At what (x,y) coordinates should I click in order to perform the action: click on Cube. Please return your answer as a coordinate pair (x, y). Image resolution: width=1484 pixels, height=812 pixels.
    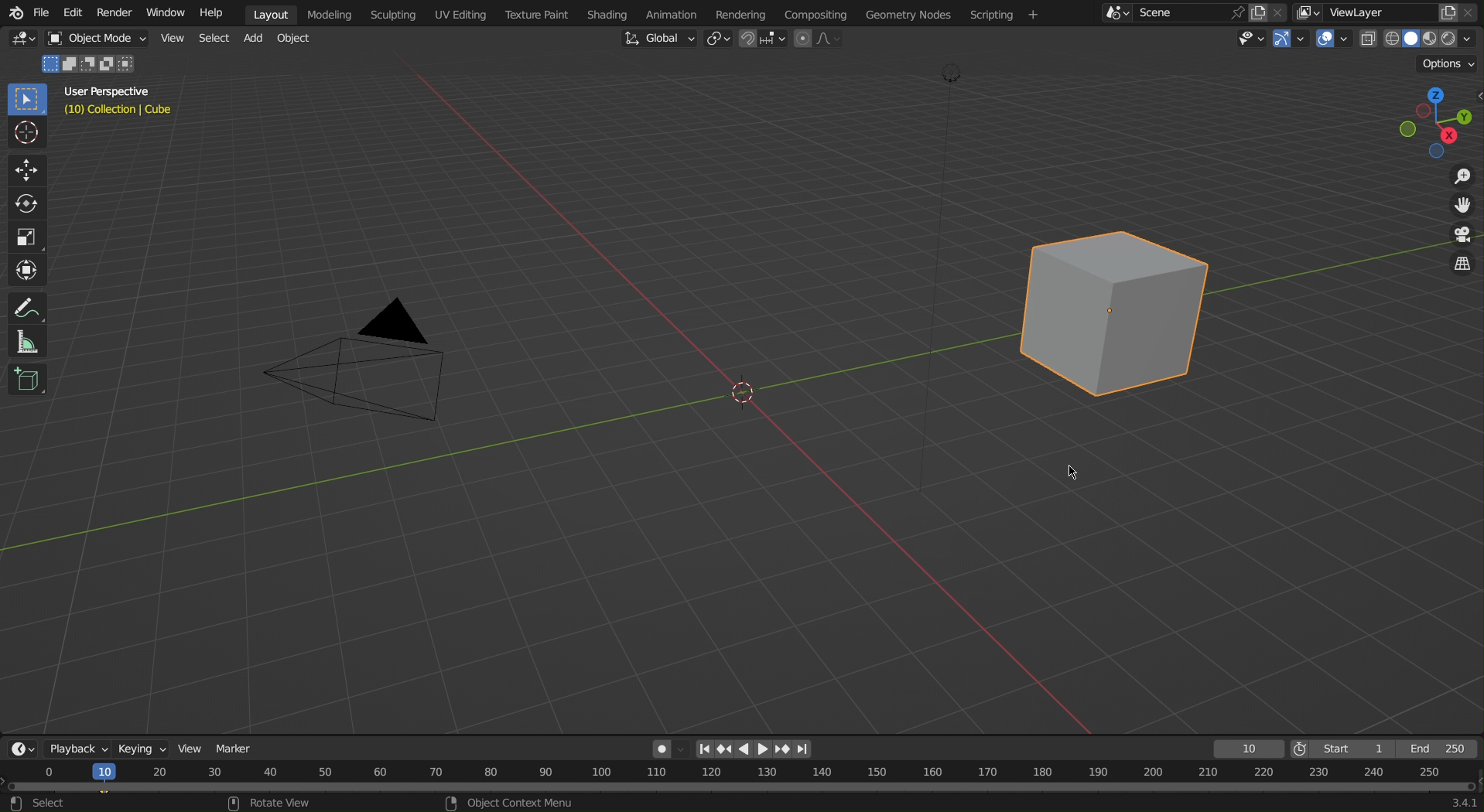
    Looking at the image, I should click on (27, 382).